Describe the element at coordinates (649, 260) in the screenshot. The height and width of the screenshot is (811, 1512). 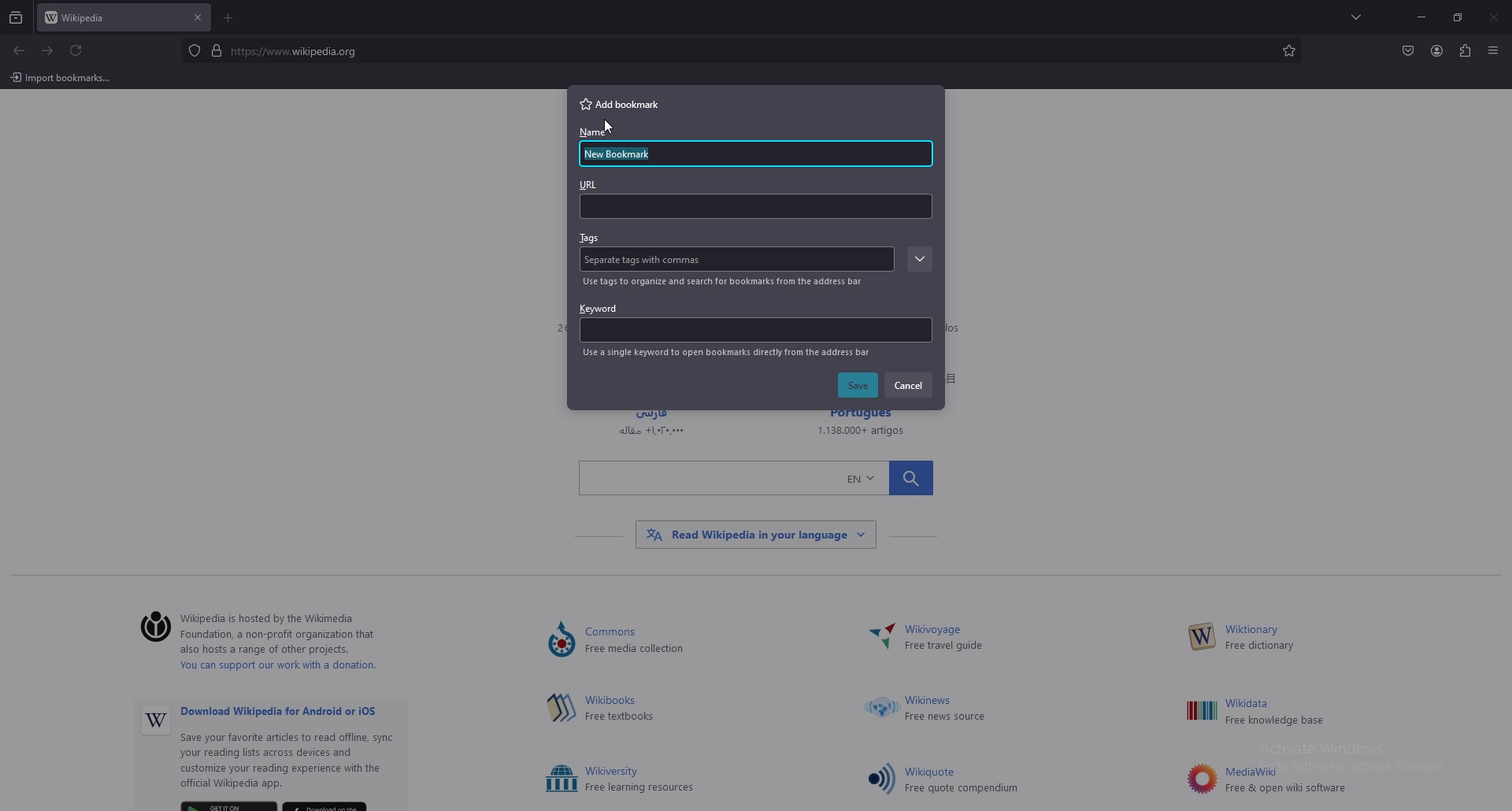
I see `Tag` at that location.